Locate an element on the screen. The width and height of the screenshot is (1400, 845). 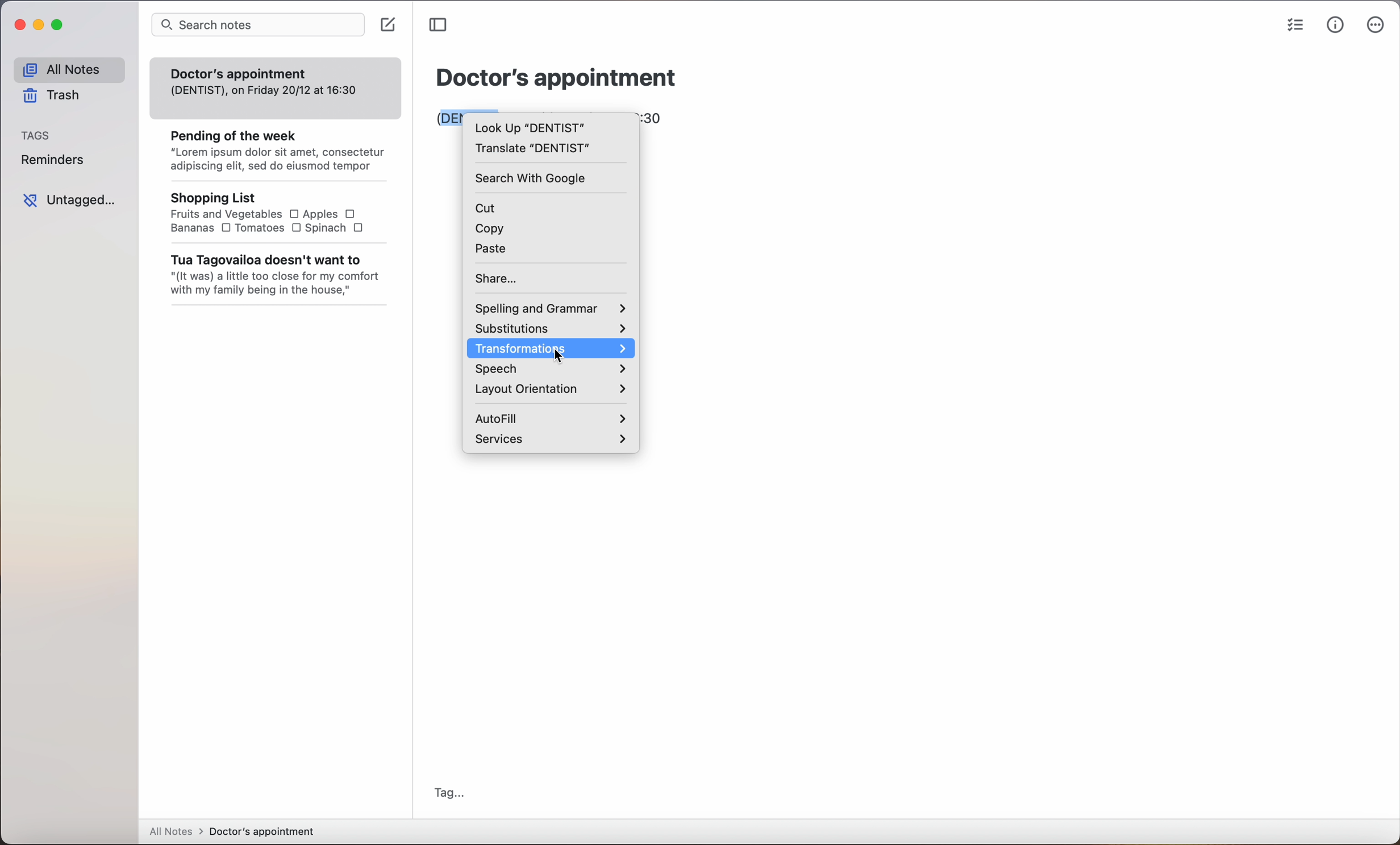
substitutions is located at coordinates (554, 329).